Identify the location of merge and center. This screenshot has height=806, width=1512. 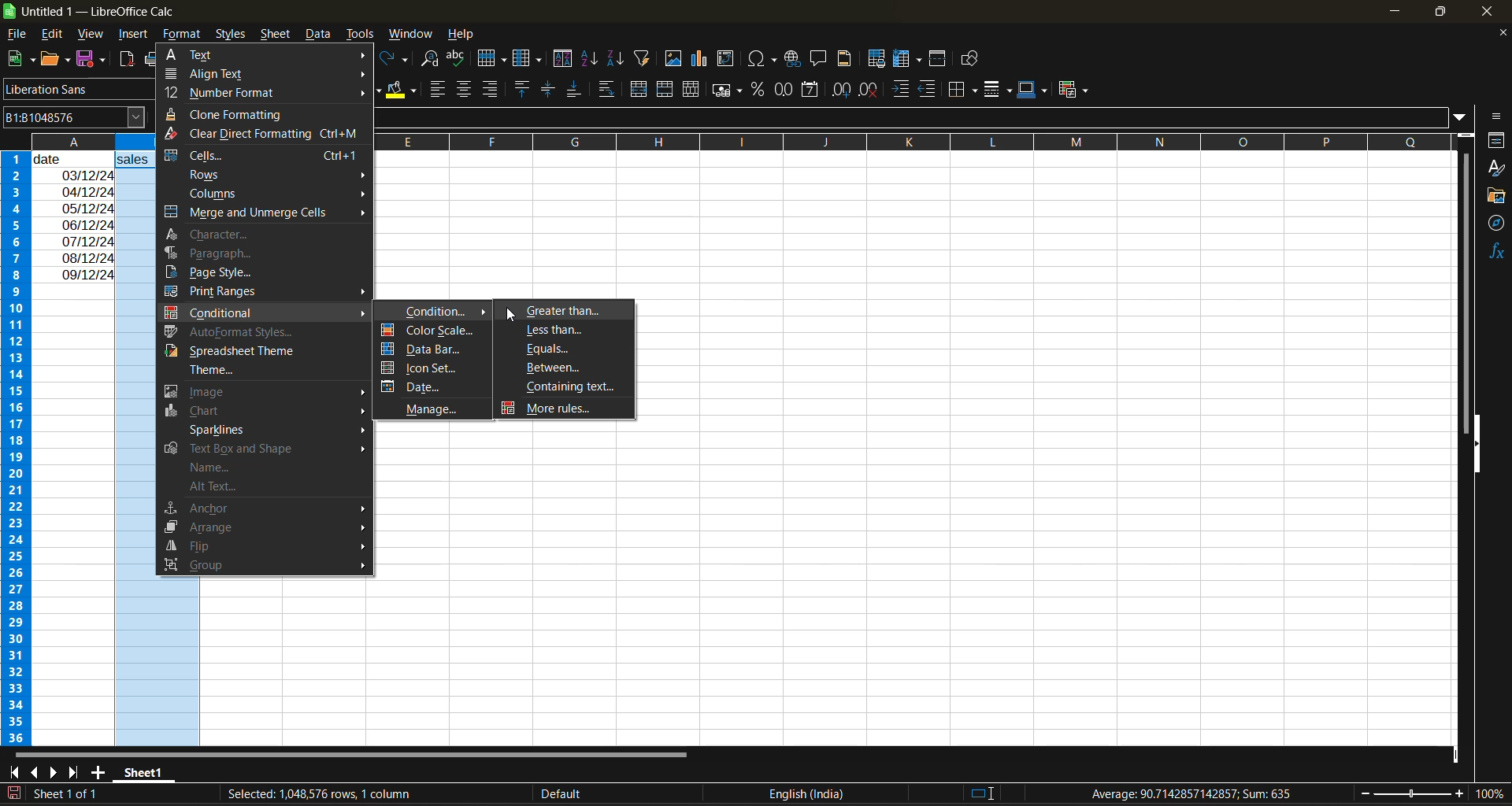
(641, 89).